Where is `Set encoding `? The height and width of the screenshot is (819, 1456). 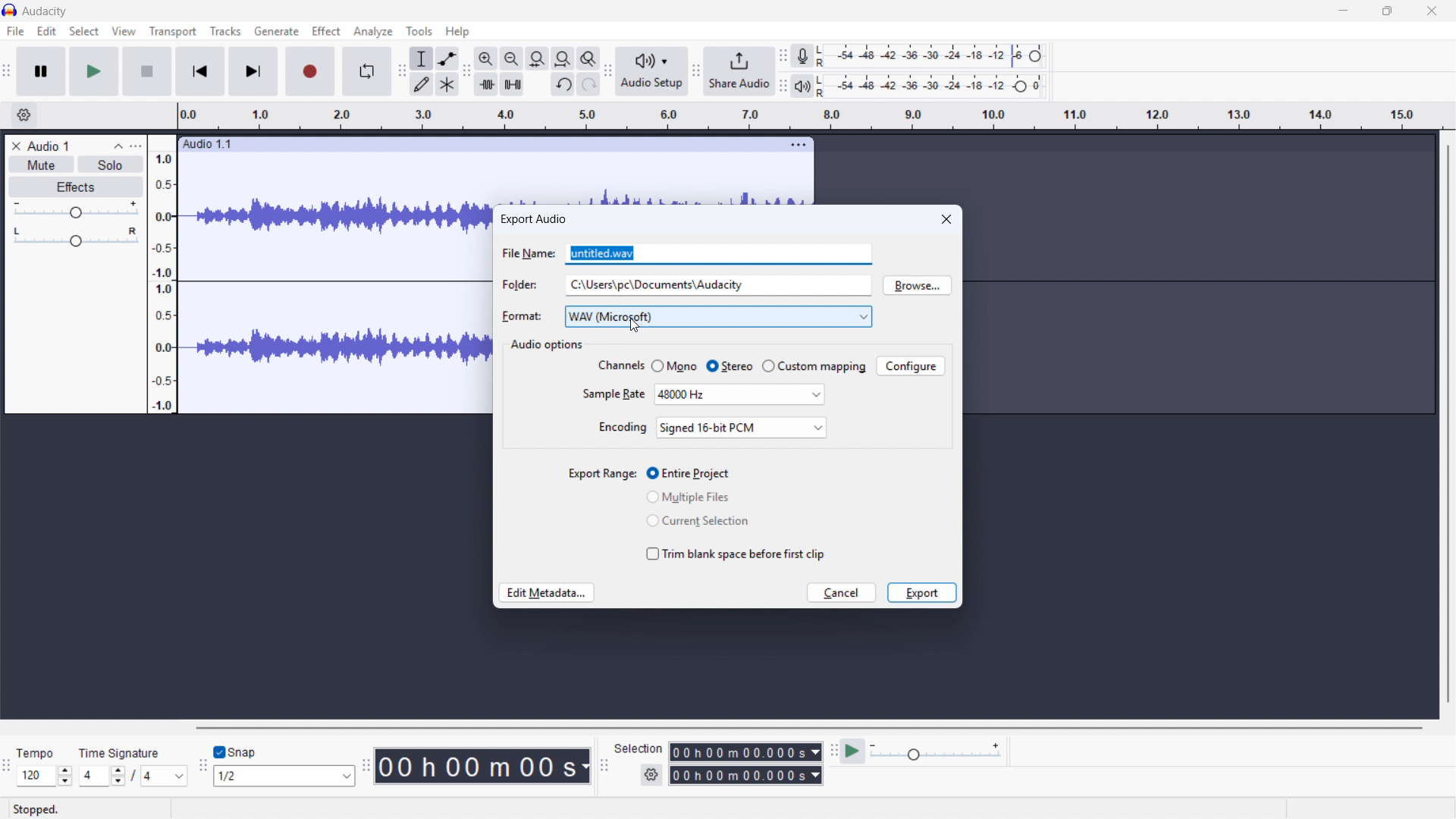
Set encoding  is located at coordinates (742, 427).